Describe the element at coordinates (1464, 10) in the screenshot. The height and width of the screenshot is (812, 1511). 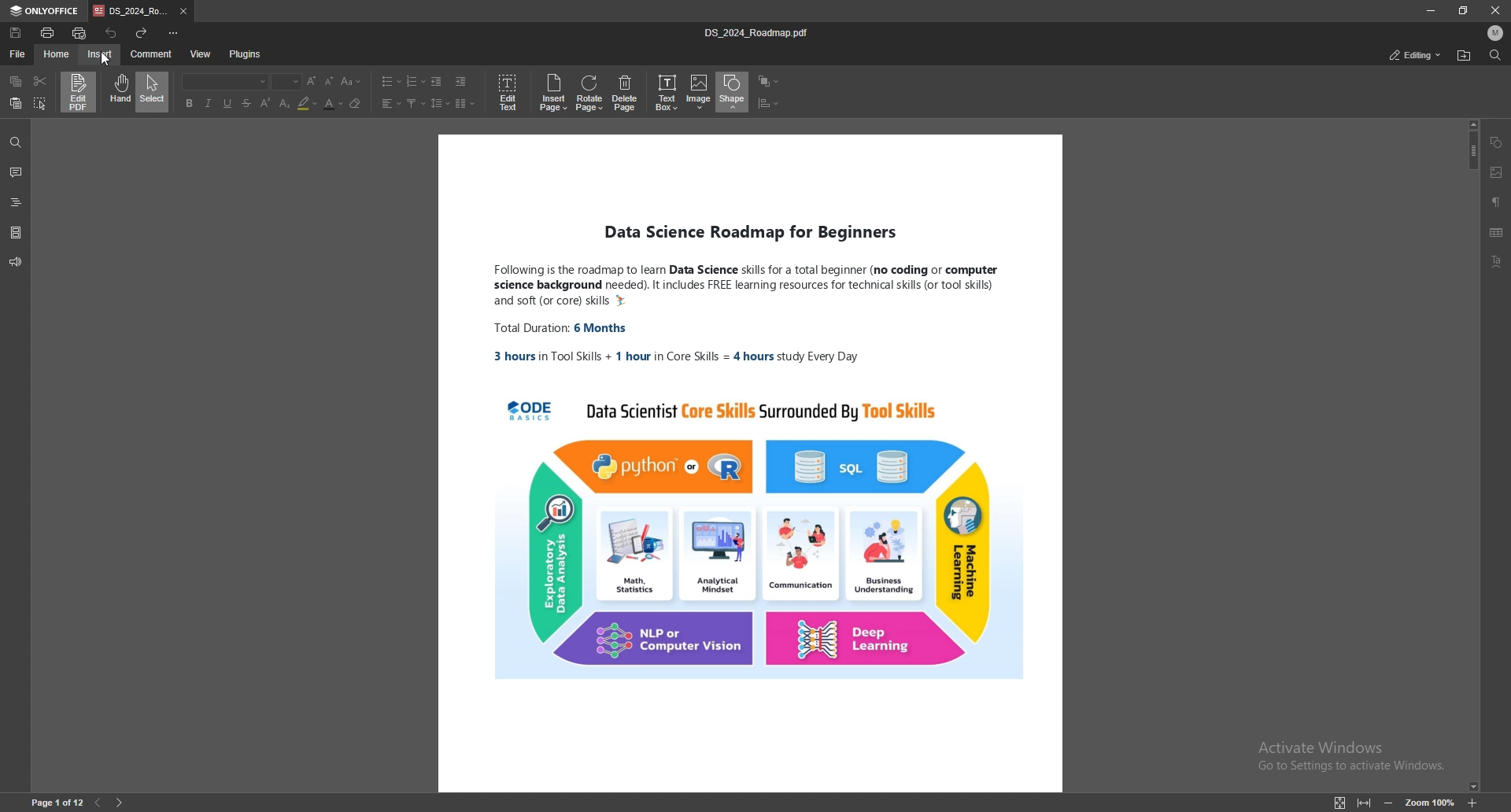
I see `resize` at that location.